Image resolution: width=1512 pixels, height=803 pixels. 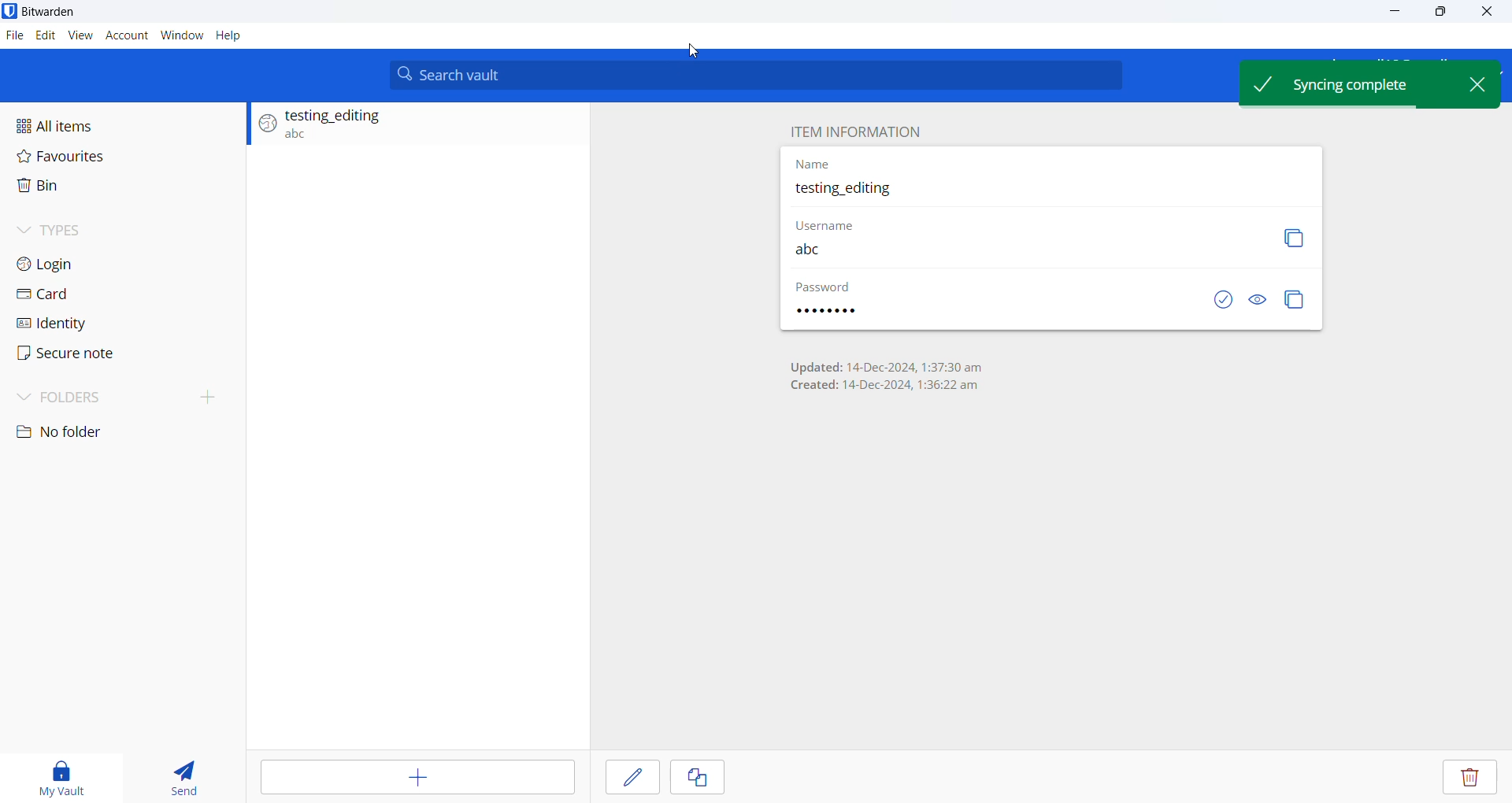 What do you see at coordinates (1492, 14) in the screenshot?
I see `Close` at bounding box center [1492, 14].